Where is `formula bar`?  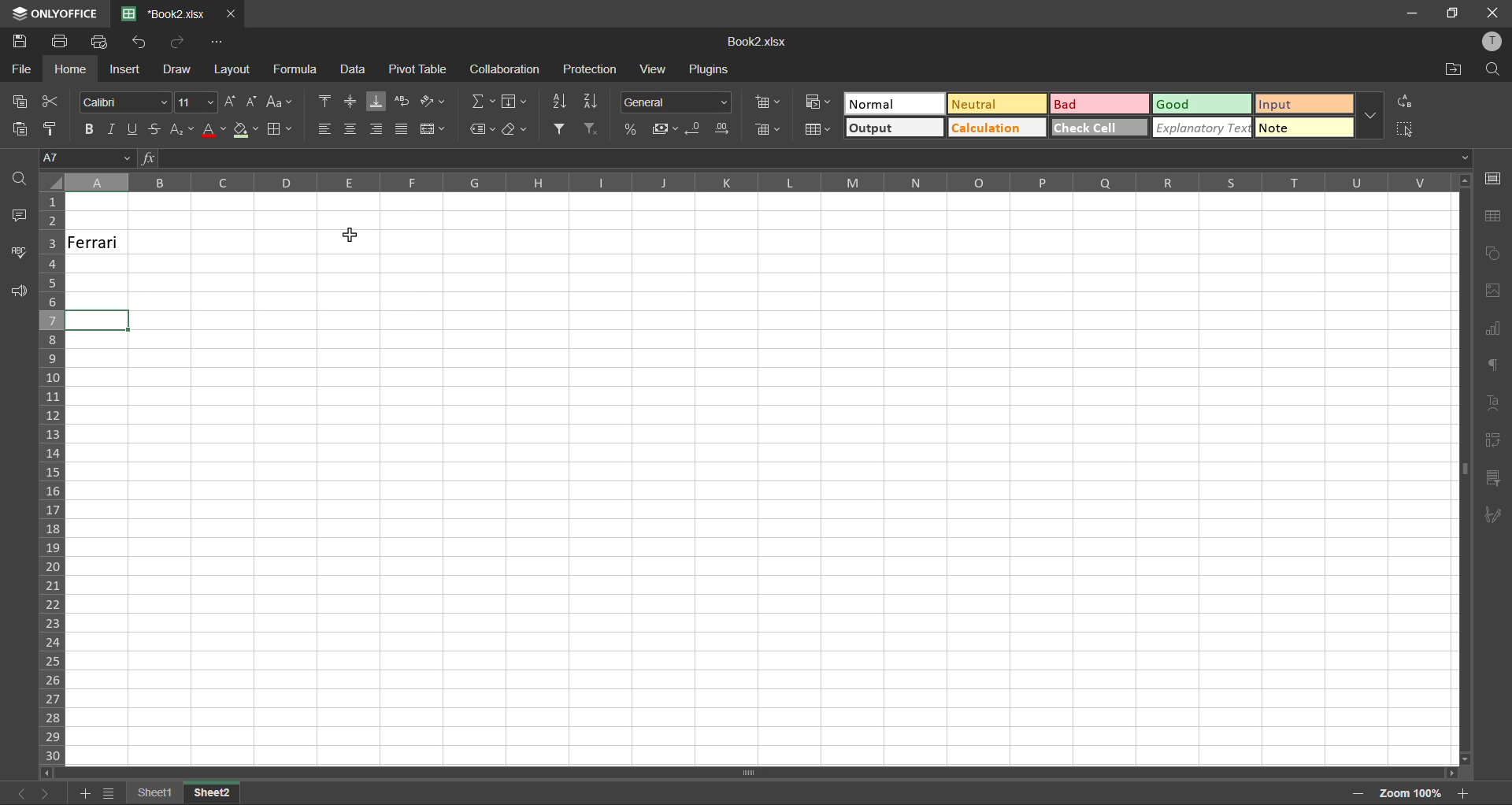 formula bar is located at coordinates (804, 158).